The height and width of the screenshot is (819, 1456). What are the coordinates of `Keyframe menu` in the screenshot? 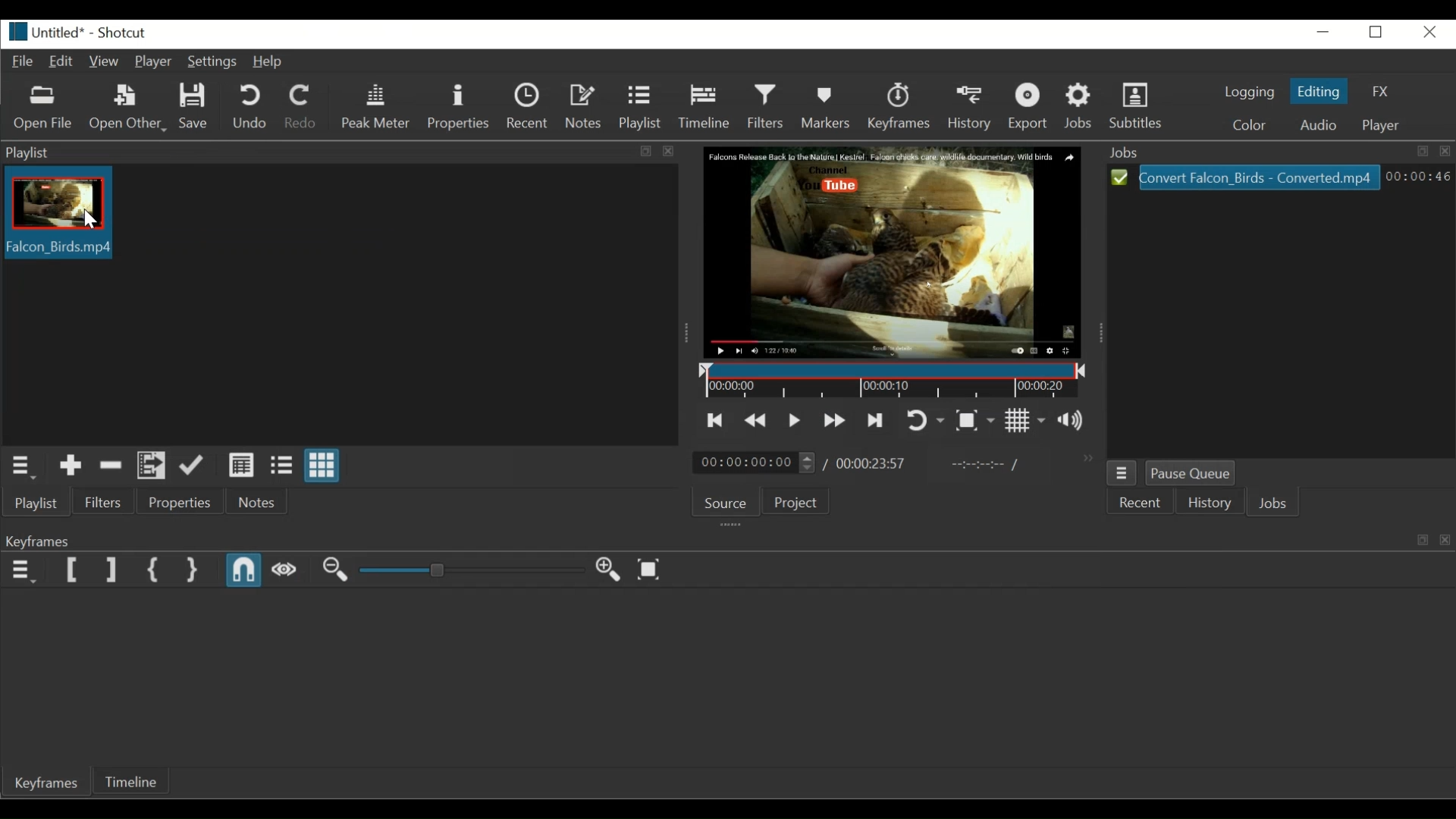 It's located at (22, 571).